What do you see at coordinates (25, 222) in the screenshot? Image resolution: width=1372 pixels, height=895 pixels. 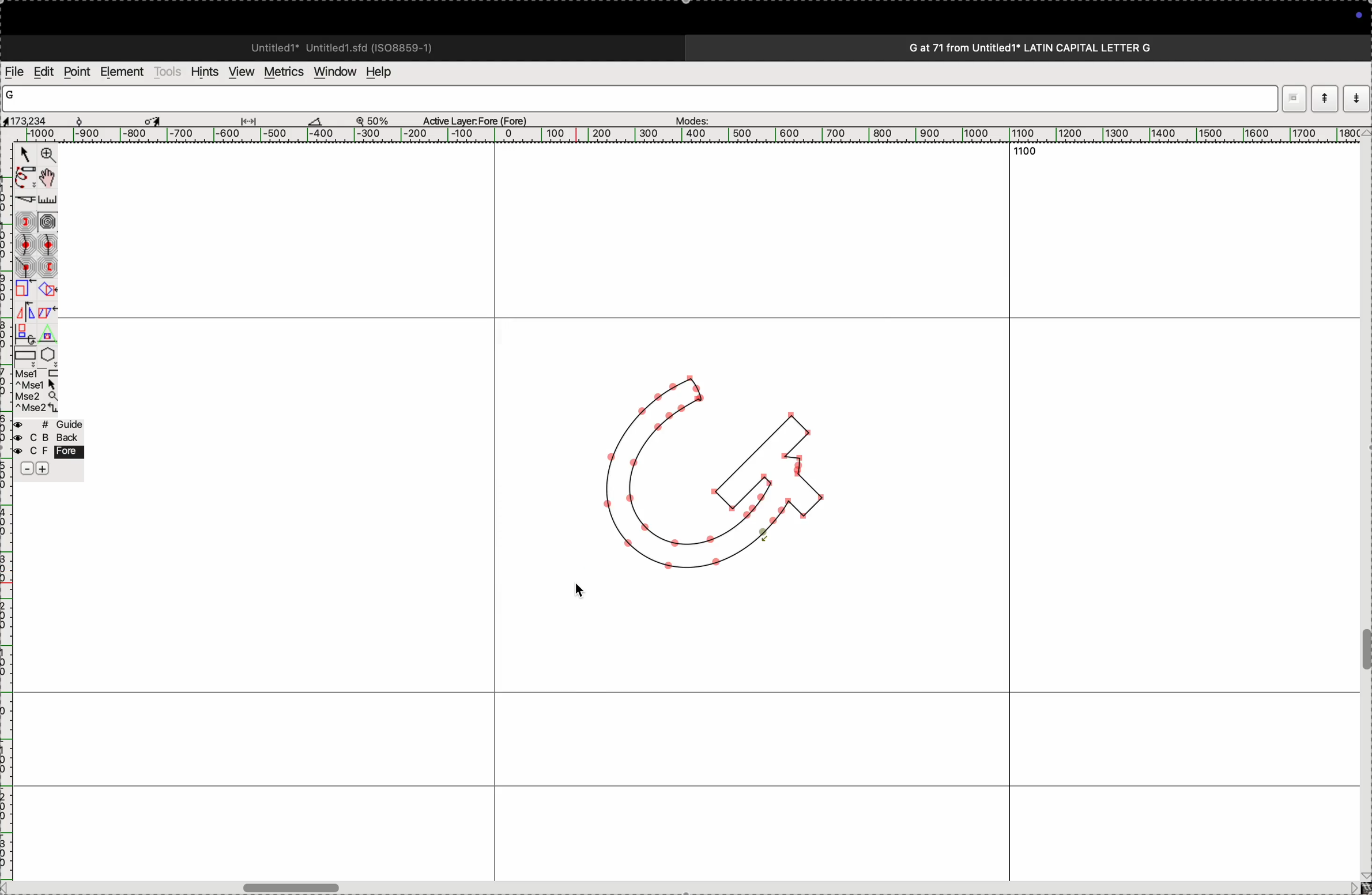 I see `next constraint point` at bounding box center [25, 222].